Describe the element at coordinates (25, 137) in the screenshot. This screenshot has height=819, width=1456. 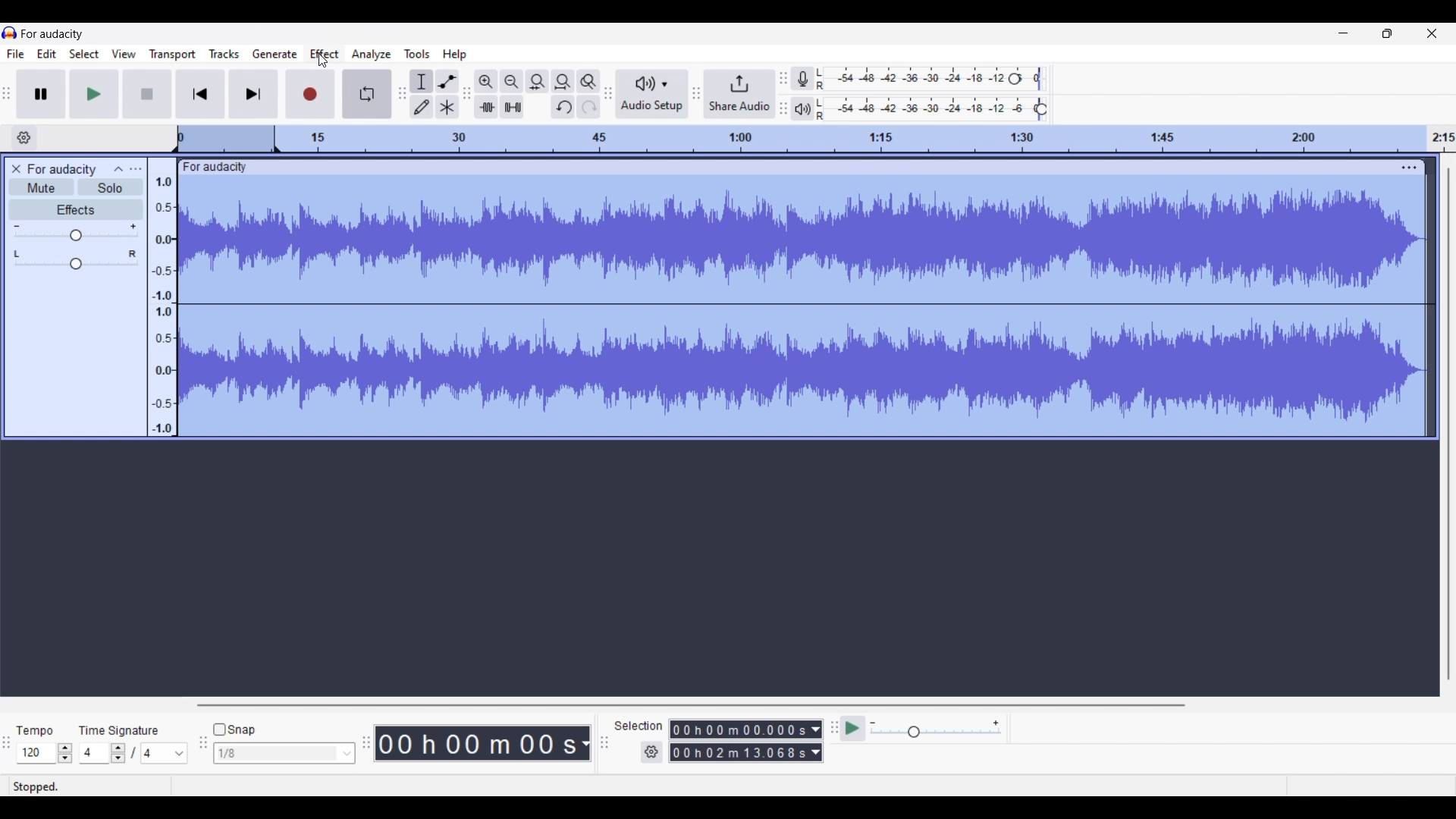
I see `Timeline options` at that location.